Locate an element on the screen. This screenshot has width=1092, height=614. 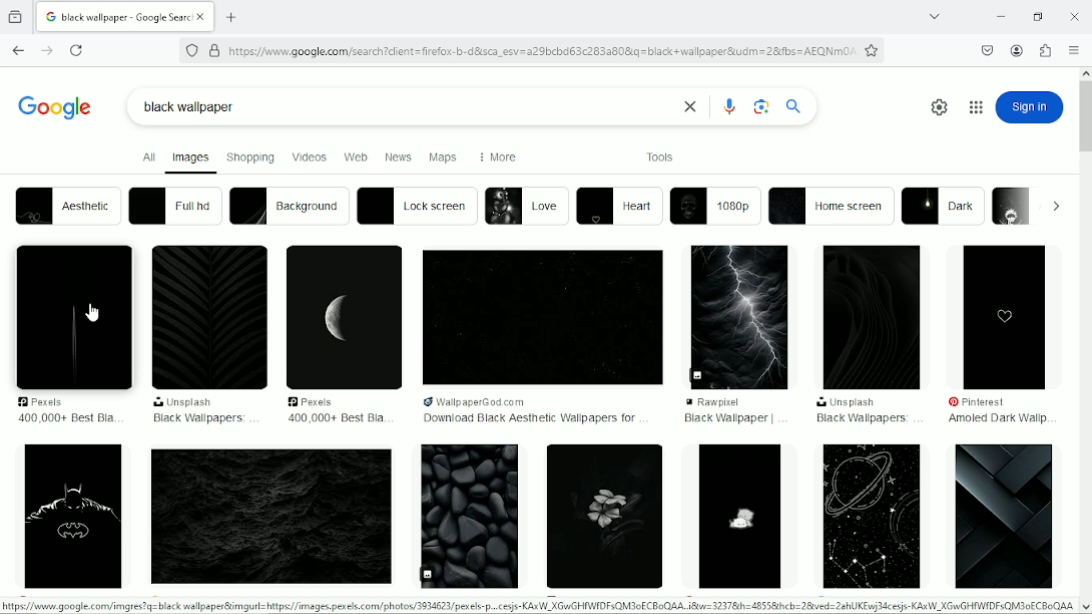
open applications menu is located at coordinates (1074, 51).